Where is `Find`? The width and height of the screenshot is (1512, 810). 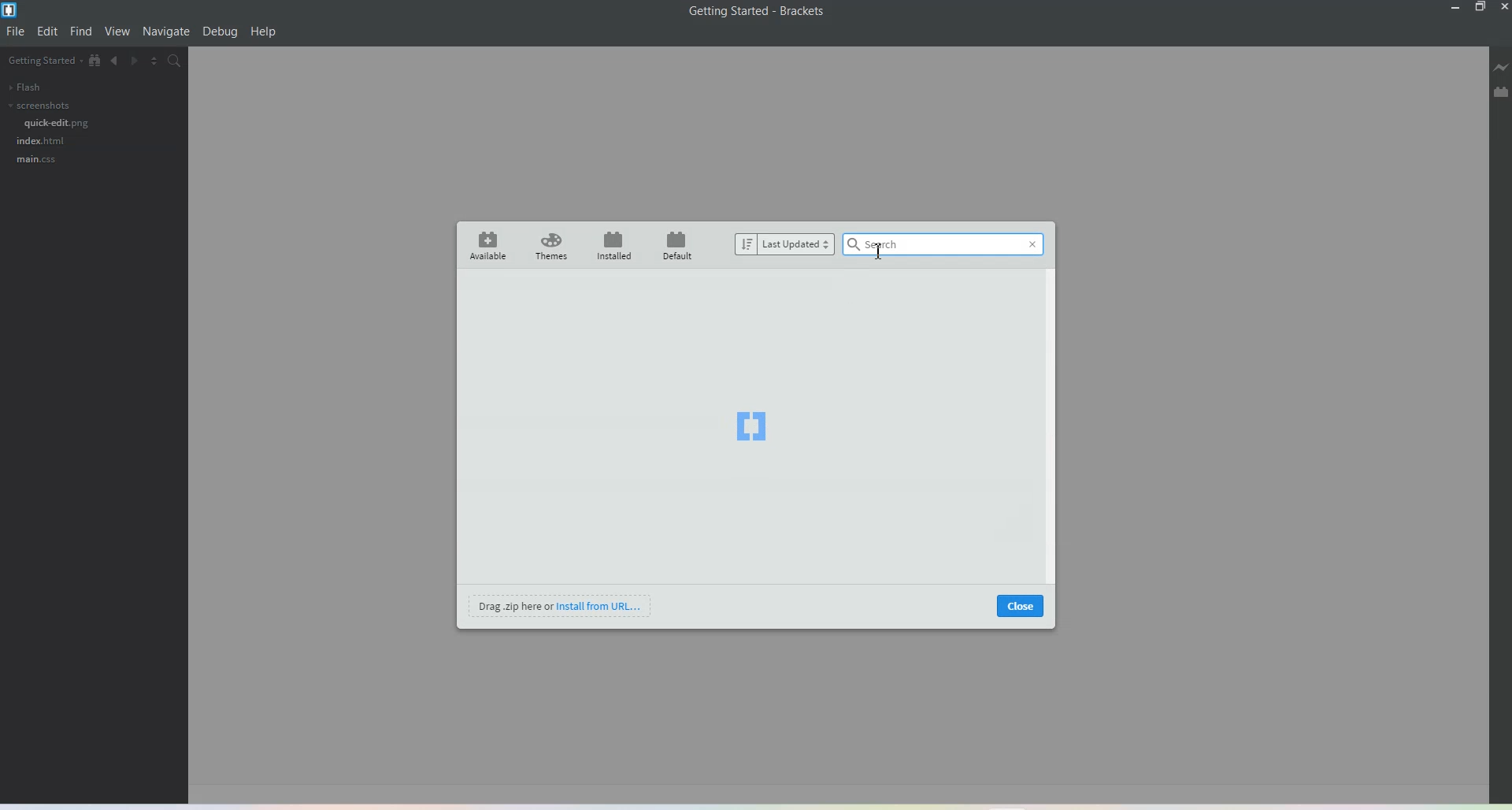 Find is located at coordinates (81, 32).